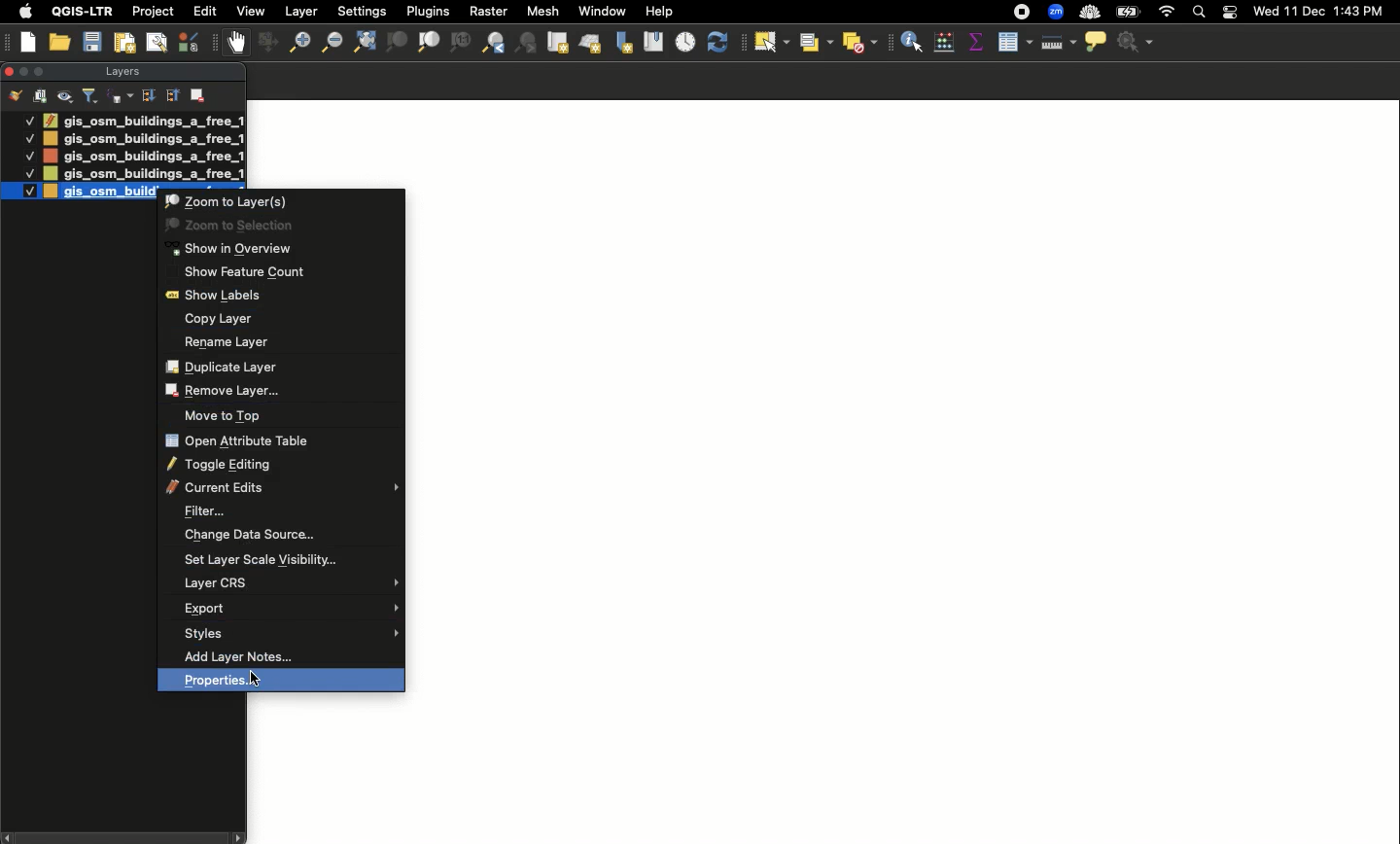 The image size is (1400, 844). What do you see at coordinates (1056, 12) in the screenshot?
I see `` at bounding box center [1056, 12].